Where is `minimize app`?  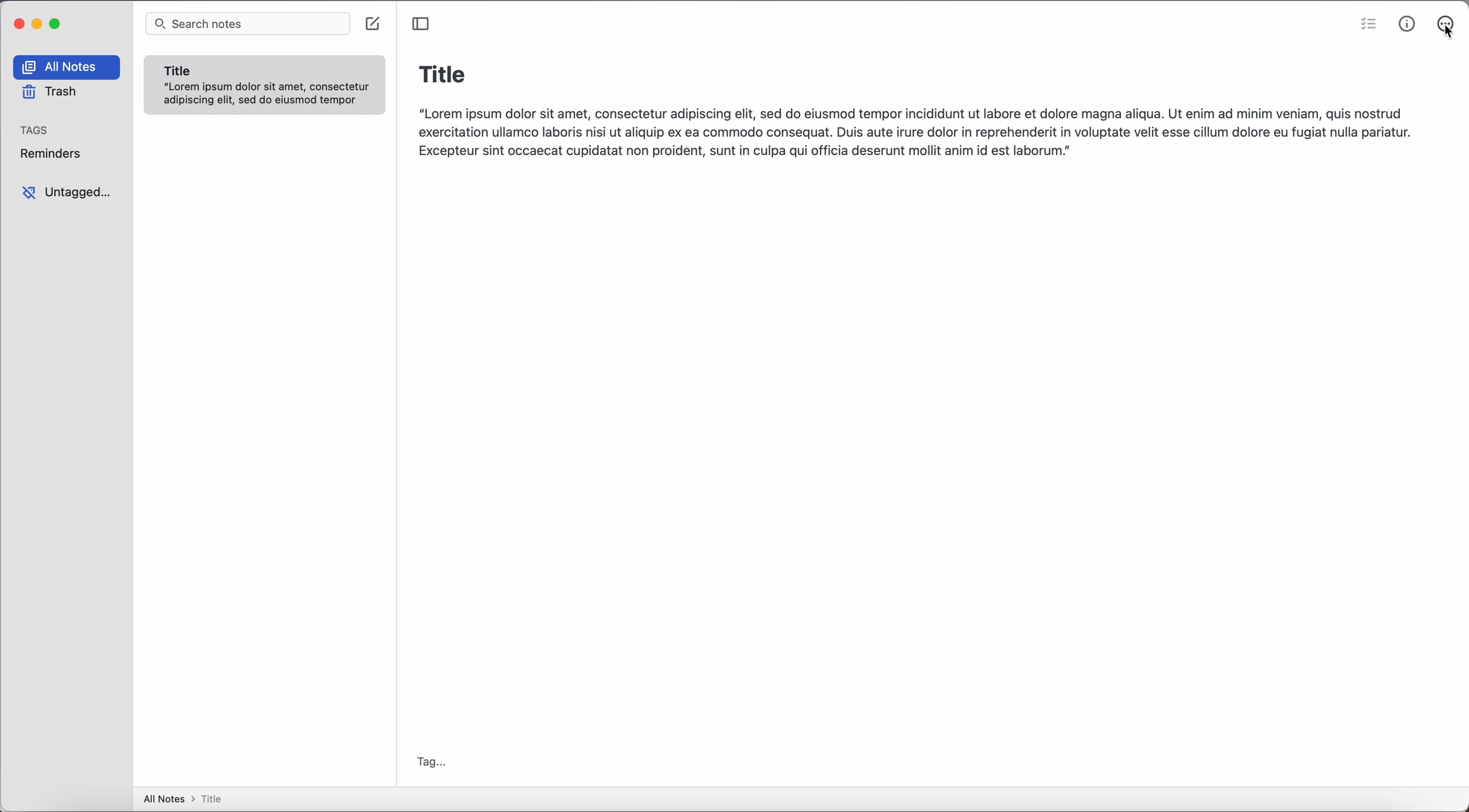 minimize app is located at coordinates (38, 24).